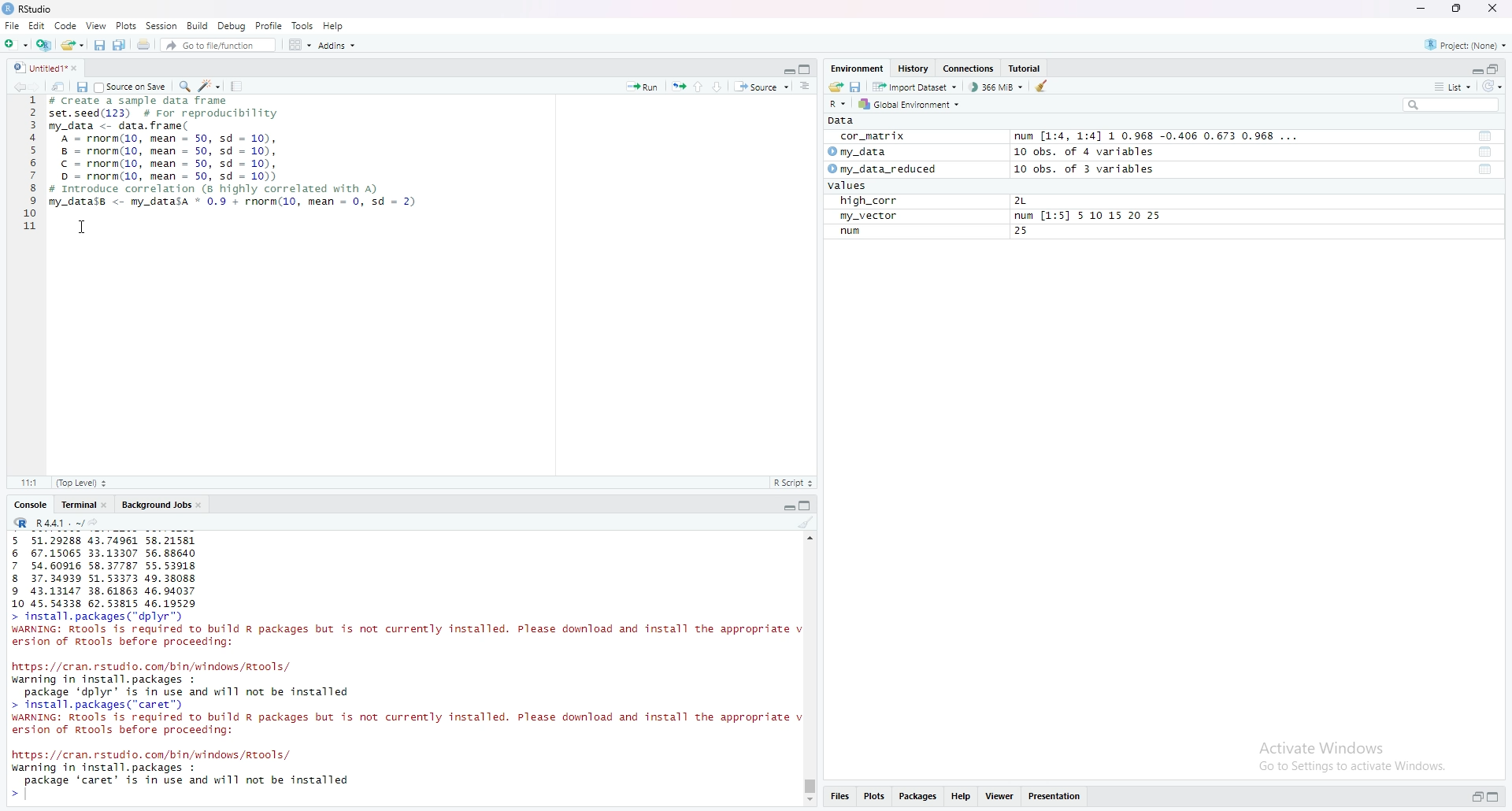 This screenshot has width=1512, height=811. I want to click on share, so click(94, 523).